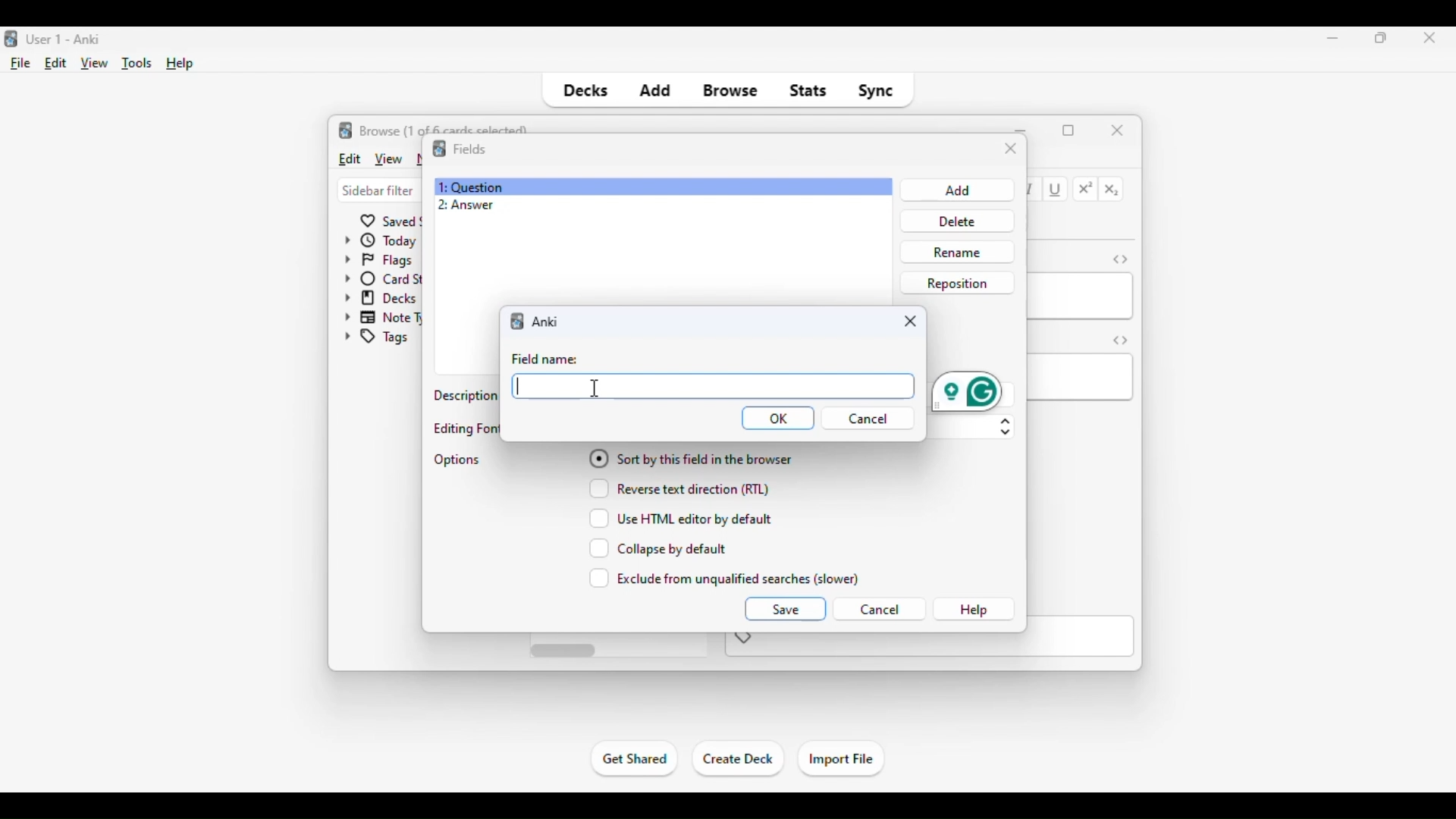  What do you see at coordinates (713, 385) in the screenshot?
I see `typing field name` at bounding box center [713, 385].